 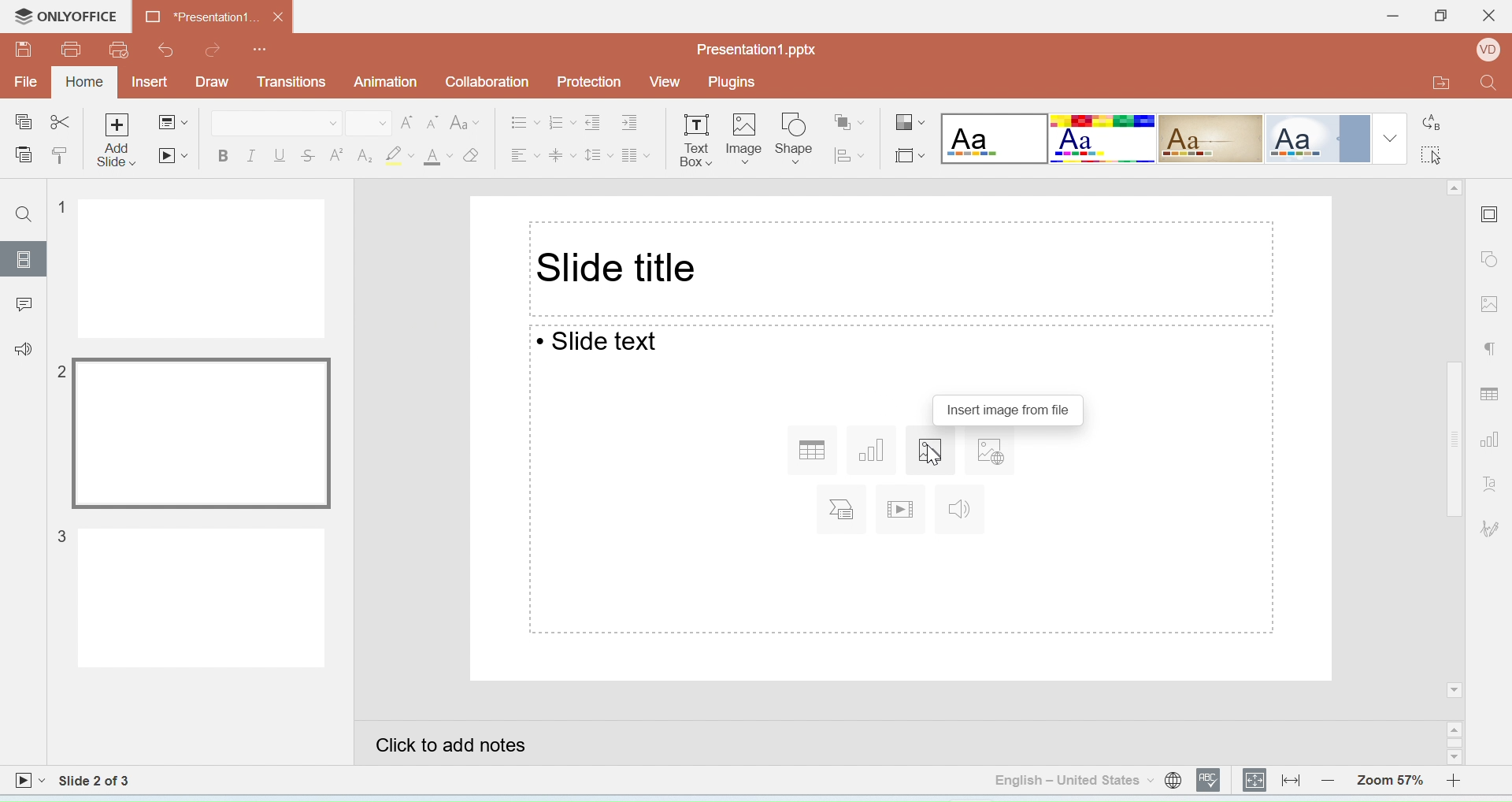 I want to click on Customize quick access tool bar , so click(x=261, y=46).